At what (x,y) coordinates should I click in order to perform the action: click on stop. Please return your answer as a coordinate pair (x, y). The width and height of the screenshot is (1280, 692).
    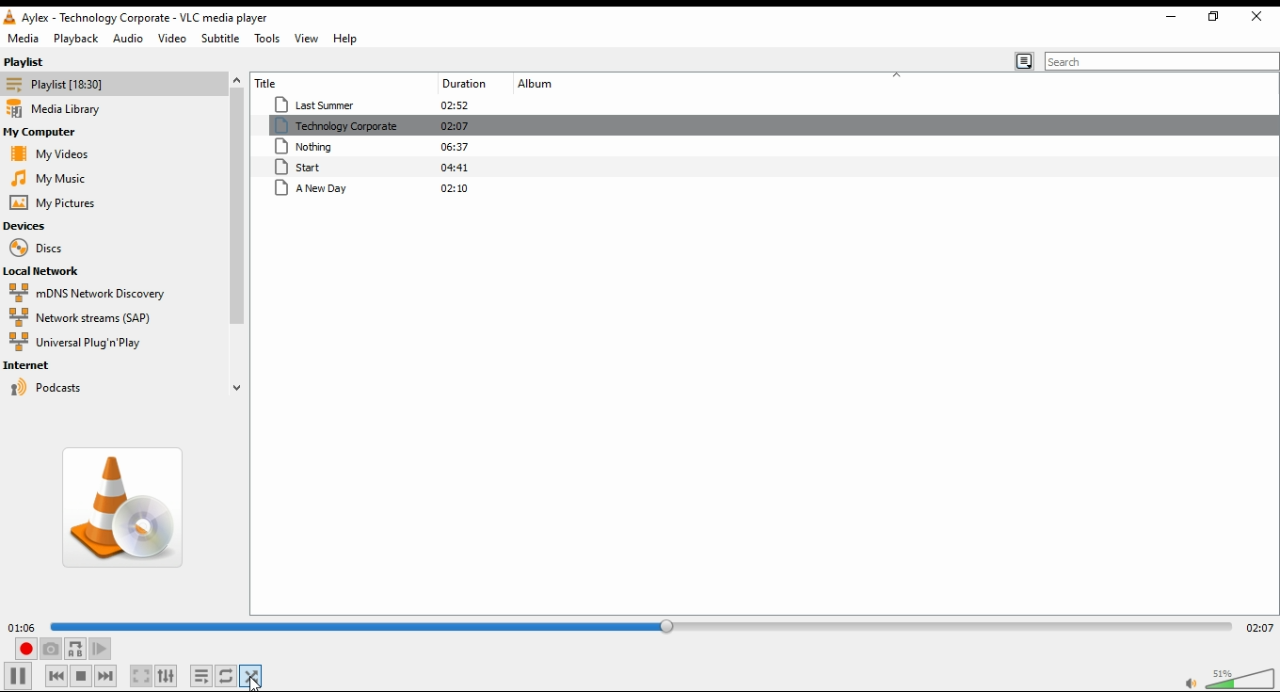
    Looking at the image, I should click on (81, 676).